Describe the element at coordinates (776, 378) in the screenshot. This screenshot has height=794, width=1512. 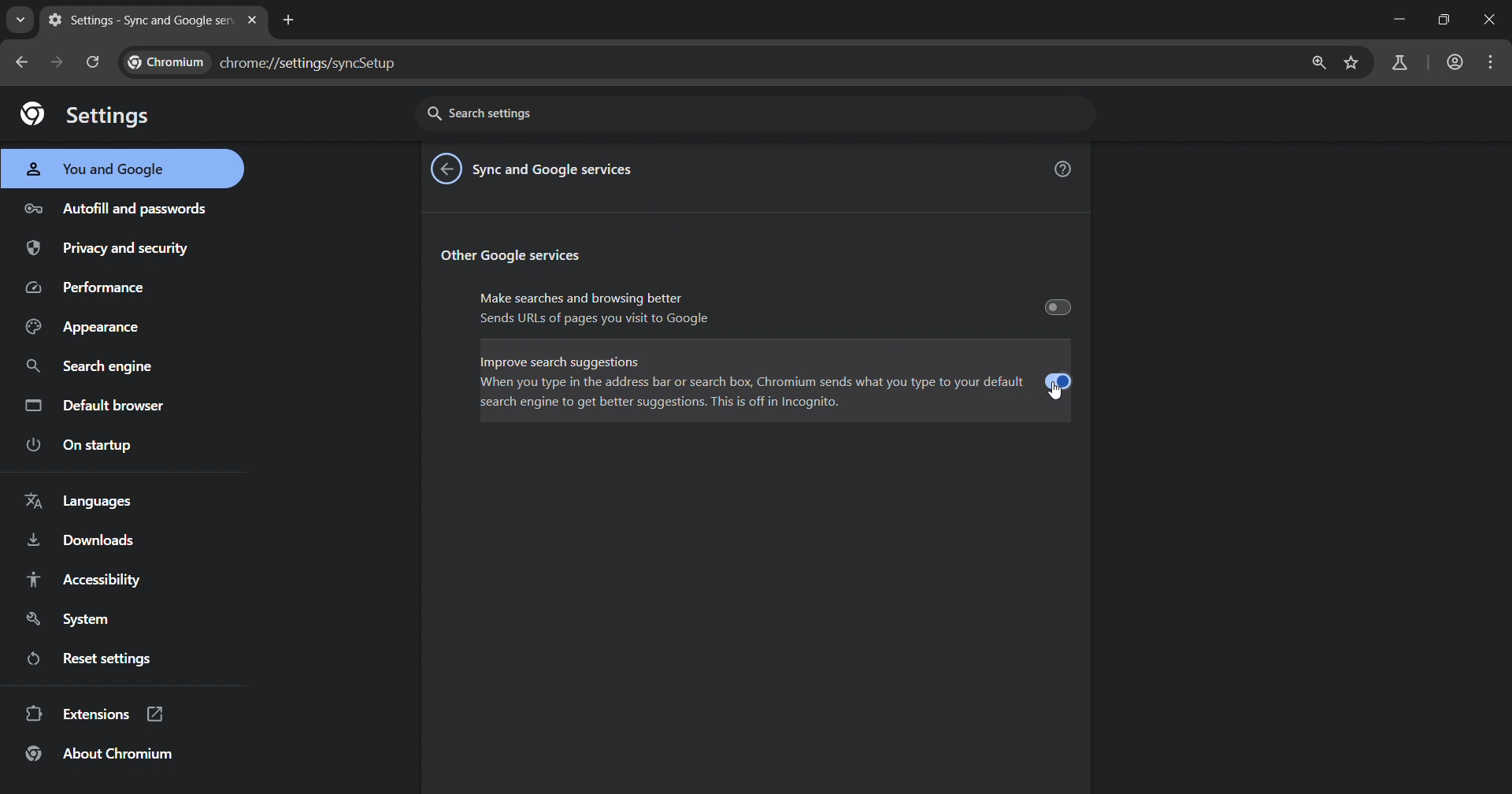
I see `Improve search suggestions
When you type in the address bar or search box, Chromium sends what you type to your default
search engine to get better suggestions. This is off in Incognito.` at that location.